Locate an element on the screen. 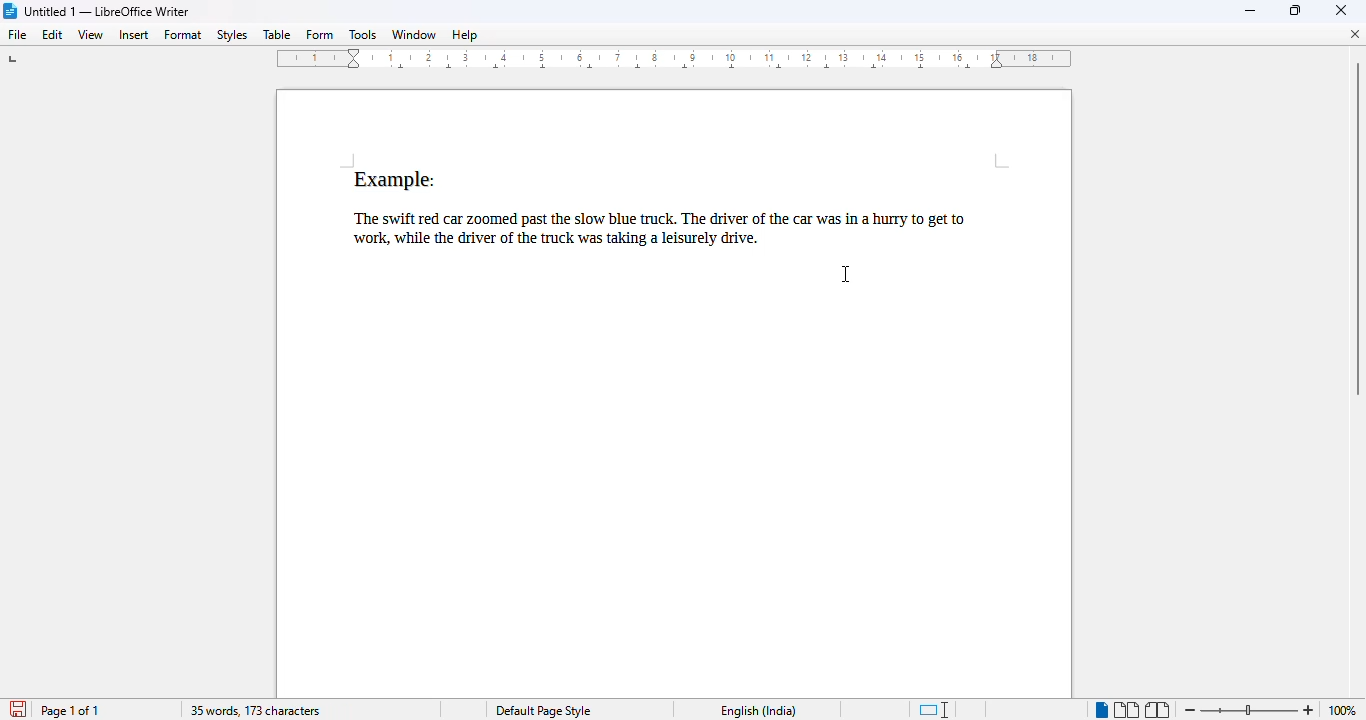 Image resolution: width=1366 pixels, height=720 pixels. tools is located at coordinates (363, 34).